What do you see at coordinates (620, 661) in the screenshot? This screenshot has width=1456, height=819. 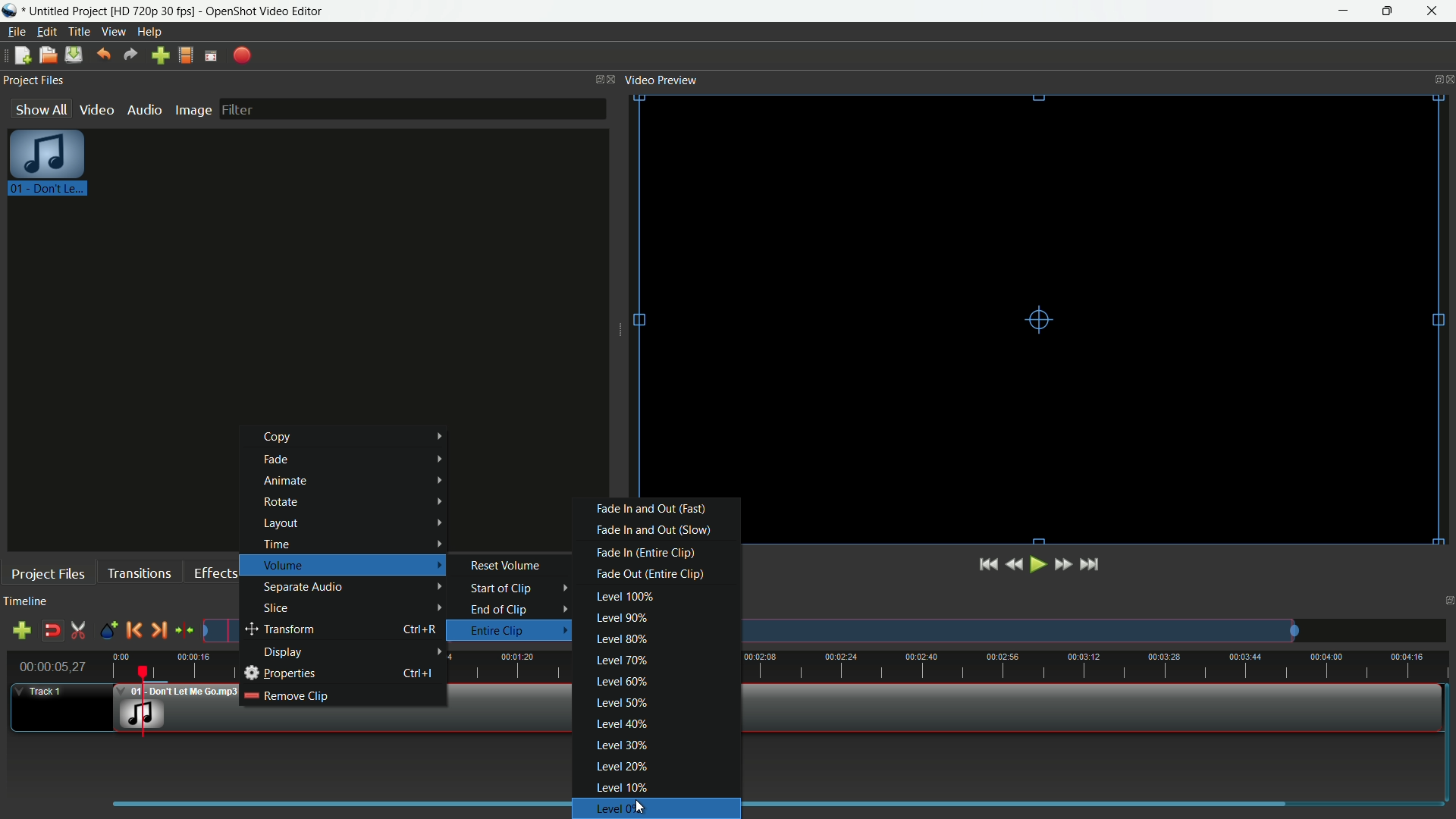 I see `level 70%` at bounding box center [620, 661].